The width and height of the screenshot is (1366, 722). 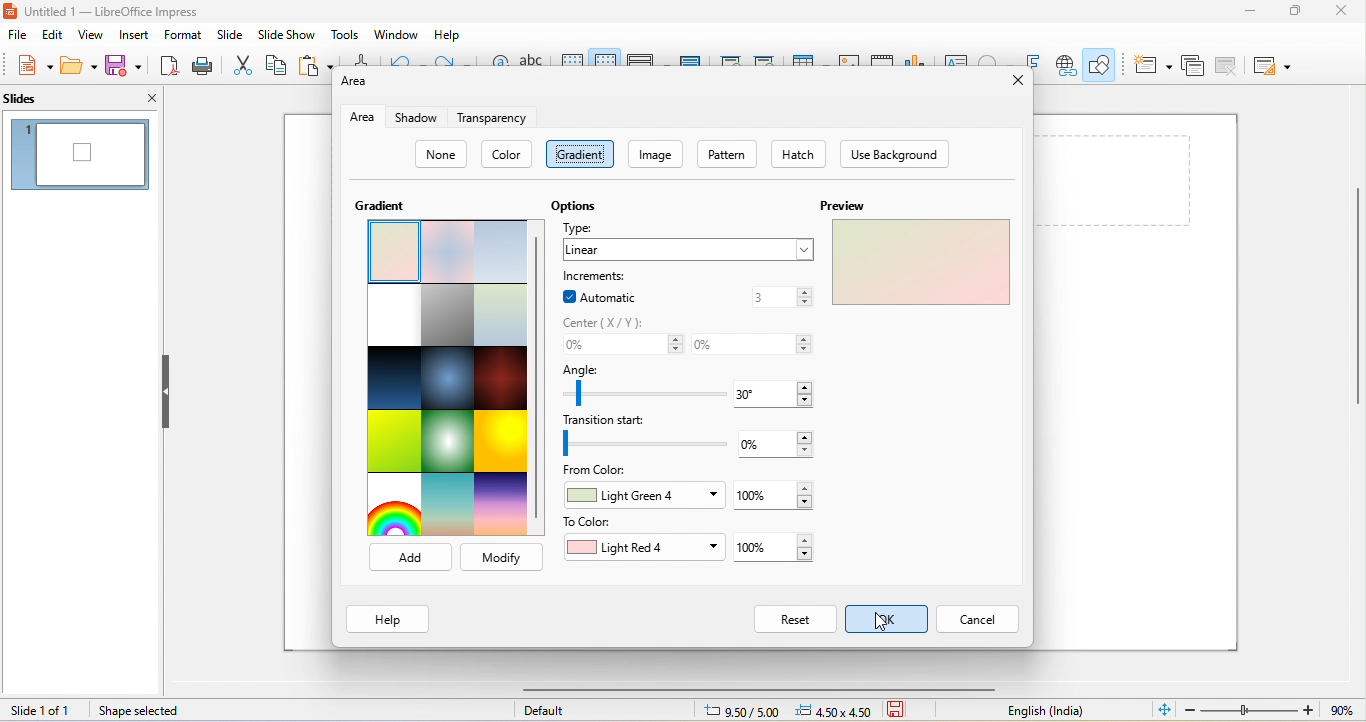 What do you see at coordinates (133, 35) in the screenshot?
I see `insert` at bounding box center [133, 35].